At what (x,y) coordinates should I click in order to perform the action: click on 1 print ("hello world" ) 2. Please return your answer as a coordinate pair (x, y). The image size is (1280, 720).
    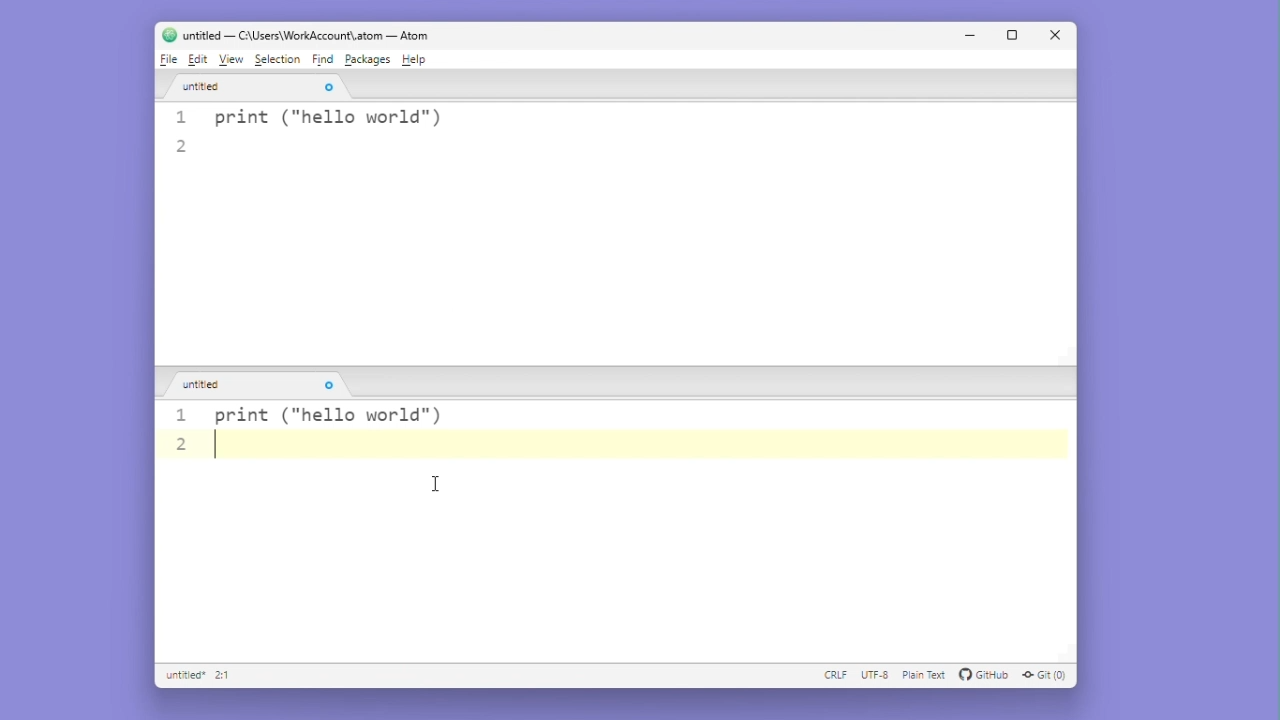
    Looking at the image, I should click on (620, 135).